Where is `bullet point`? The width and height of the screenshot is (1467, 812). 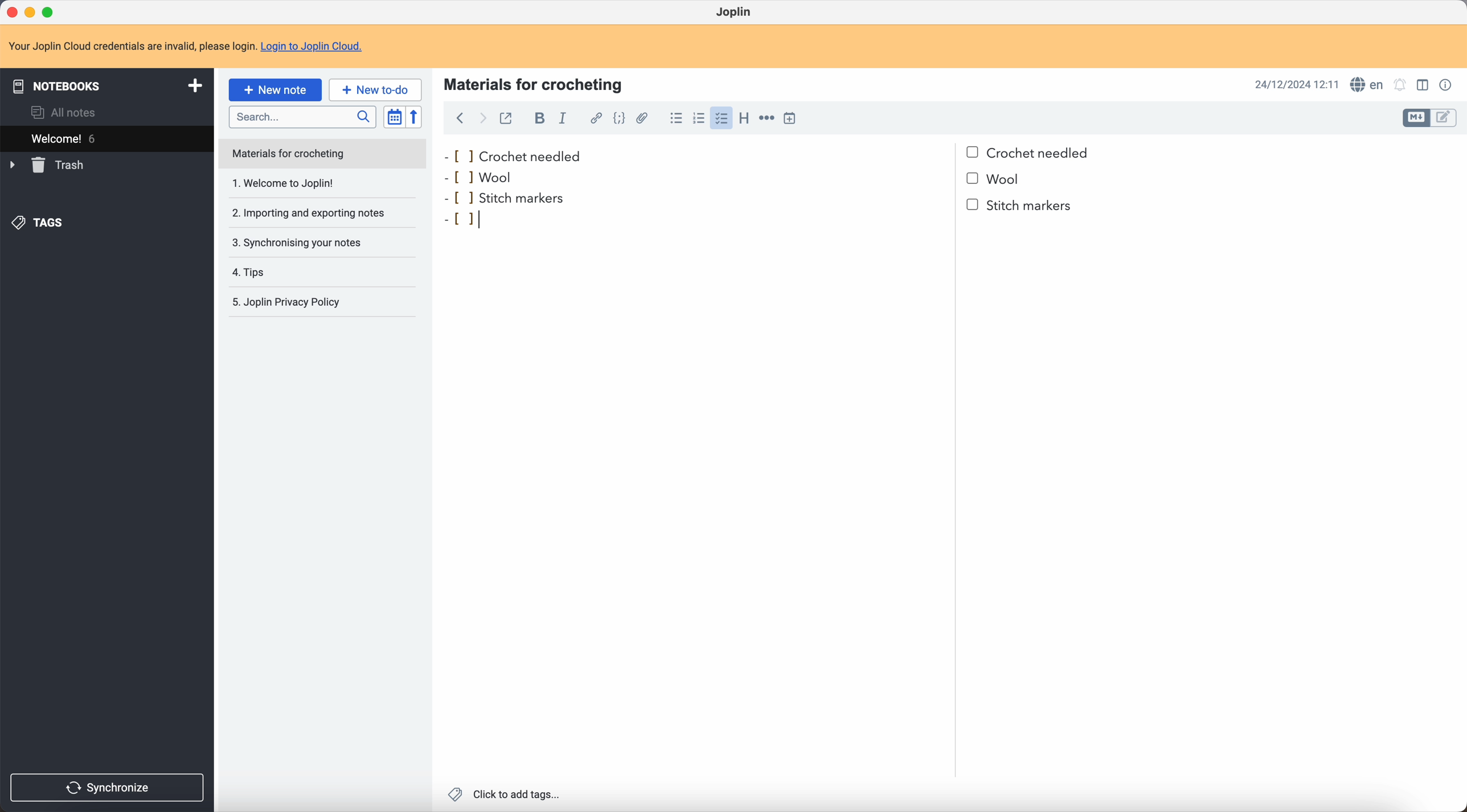 bullet point is located at coordinates (458, 198).